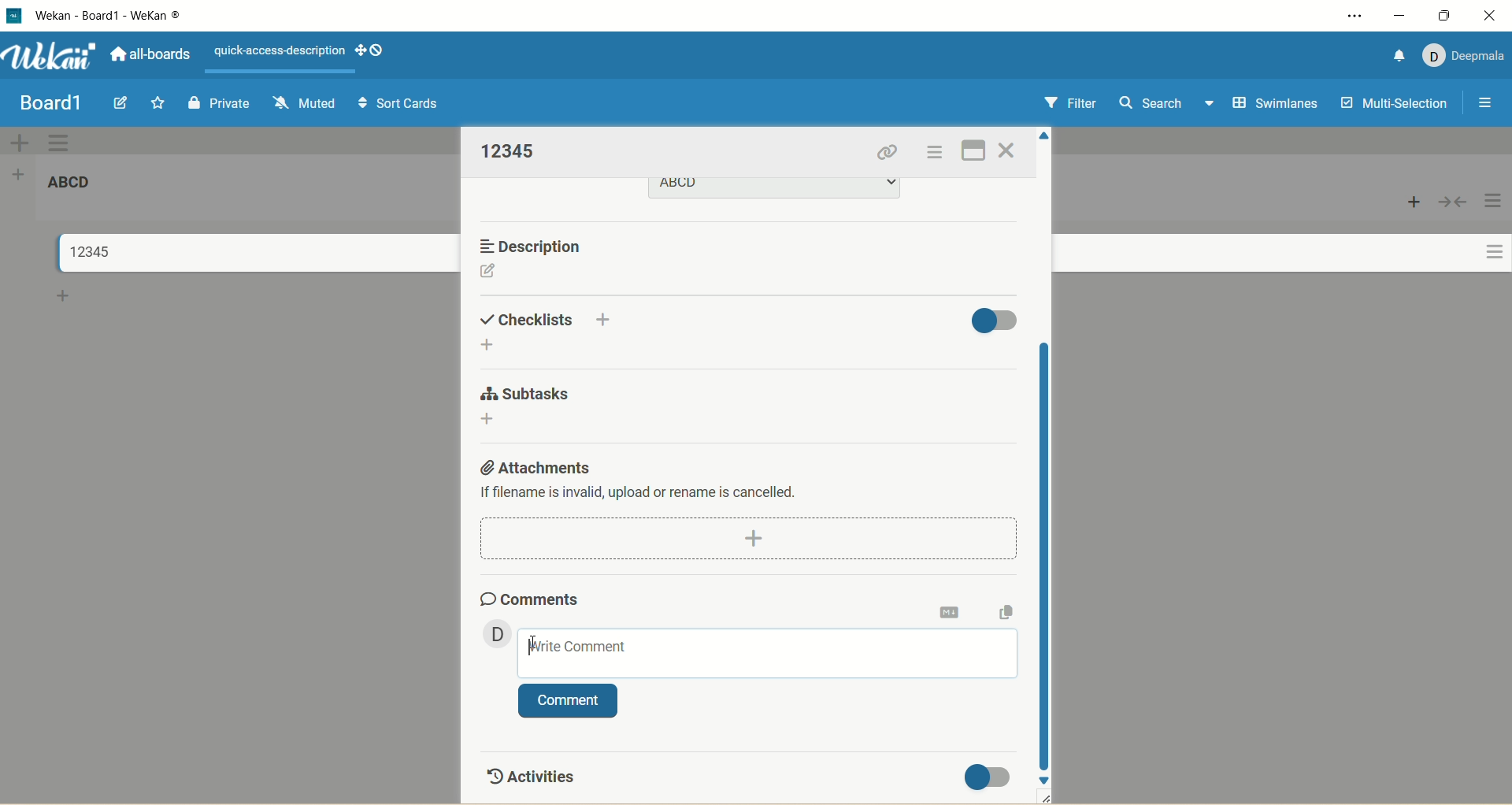 Image resolution: width=1512 pixels, height=805 pixels. What do you see at coordinates (995, 318) in the screenshot?
I see `toggle button` at bounding box center [995, 318].